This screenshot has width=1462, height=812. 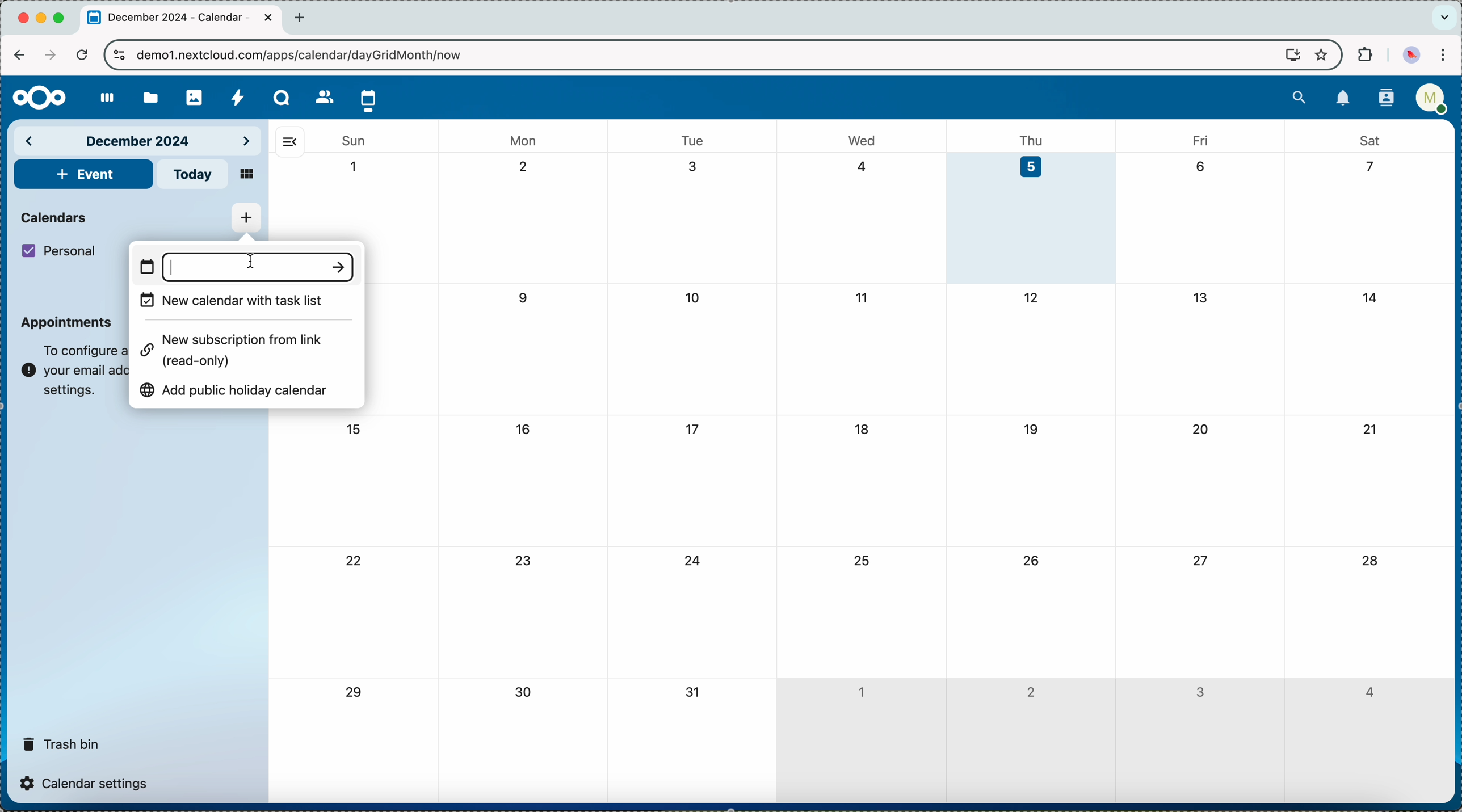 What do you see at coordinates (694, 693) in the screenshot?
I see `31` at bounding box center [694, 693].